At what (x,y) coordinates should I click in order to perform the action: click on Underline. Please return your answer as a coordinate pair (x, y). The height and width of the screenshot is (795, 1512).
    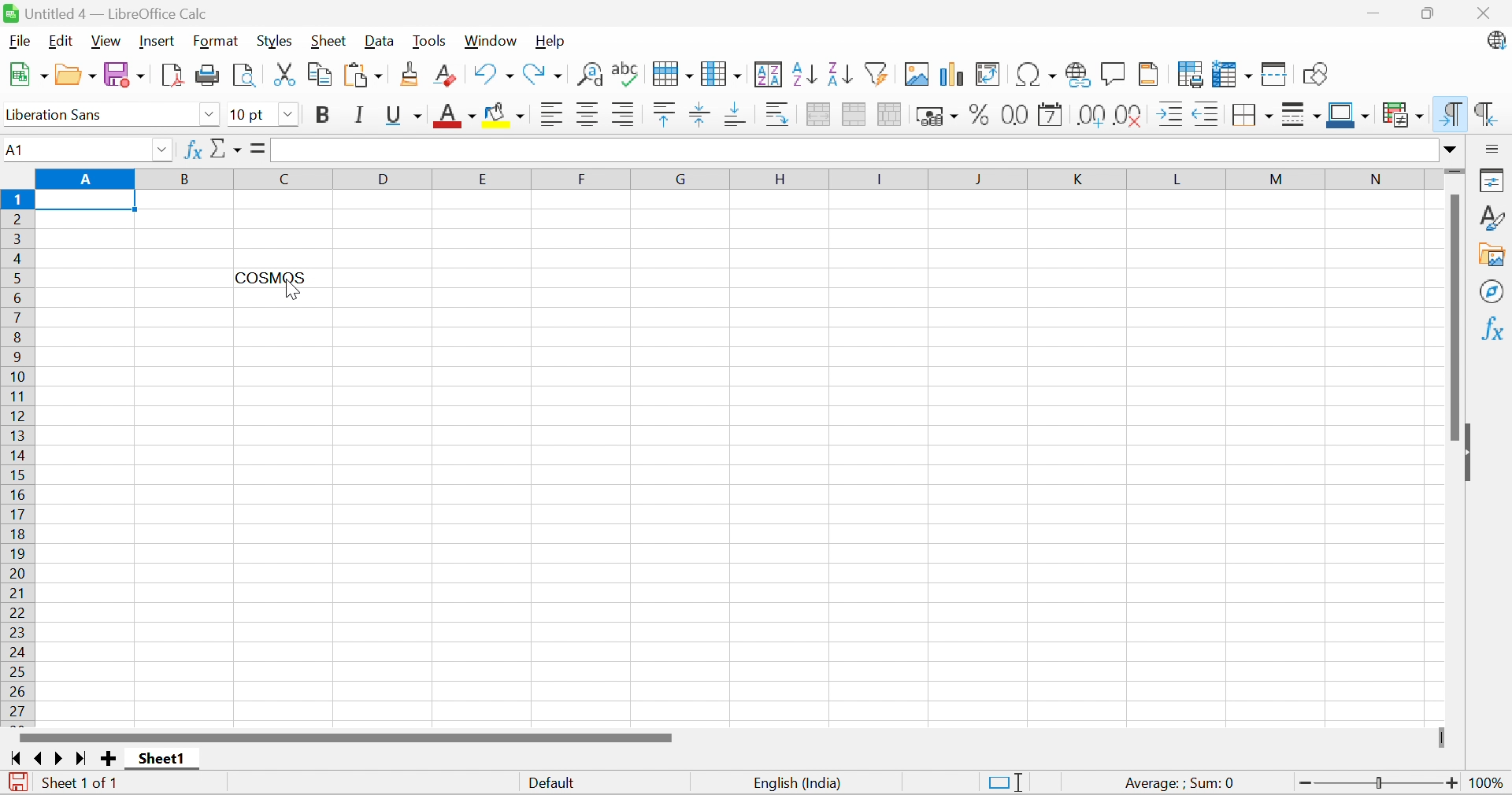
    Looking at the image, I should click on (402, 116).